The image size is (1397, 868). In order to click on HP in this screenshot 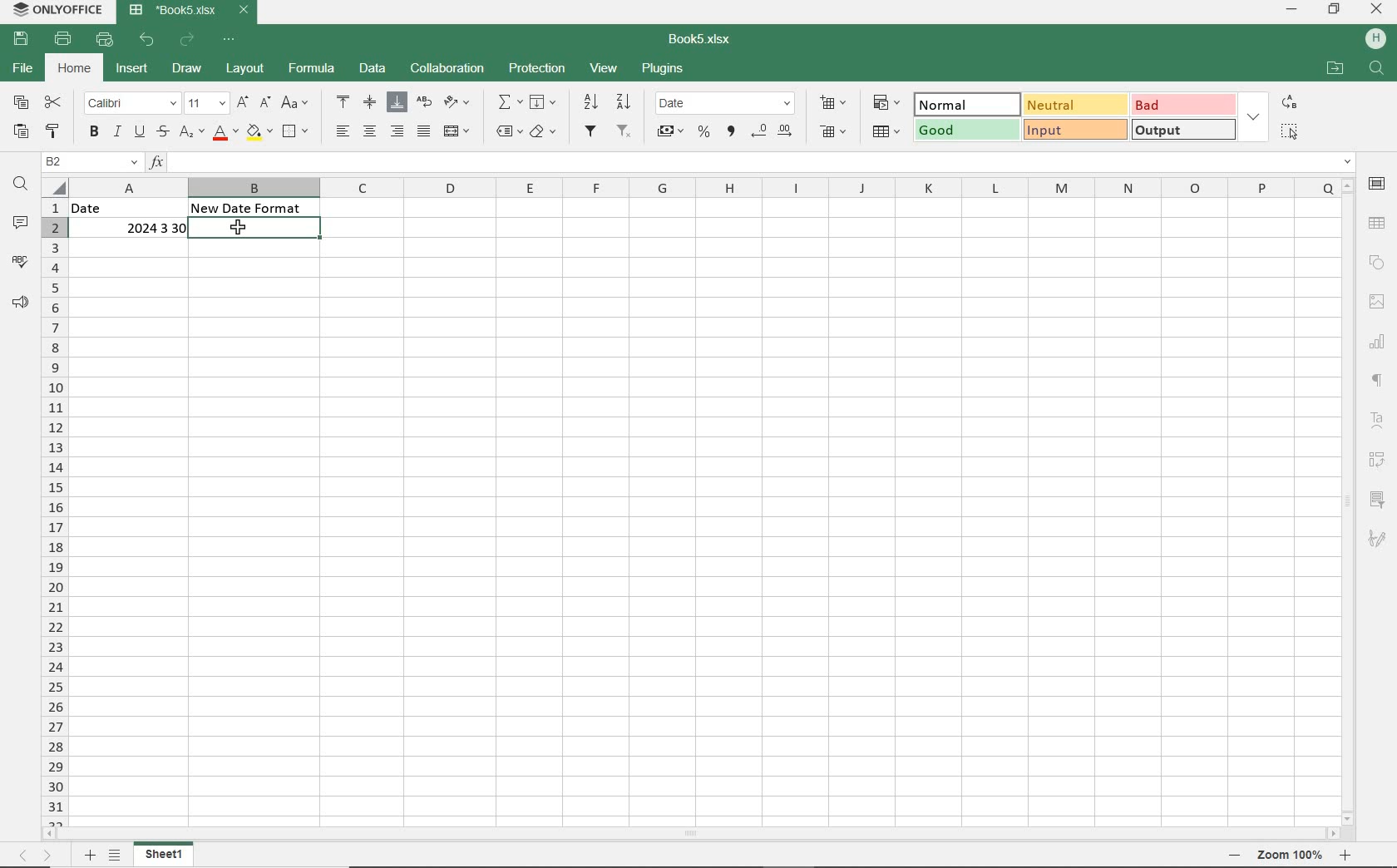, I will do `click(1374, 39)`.